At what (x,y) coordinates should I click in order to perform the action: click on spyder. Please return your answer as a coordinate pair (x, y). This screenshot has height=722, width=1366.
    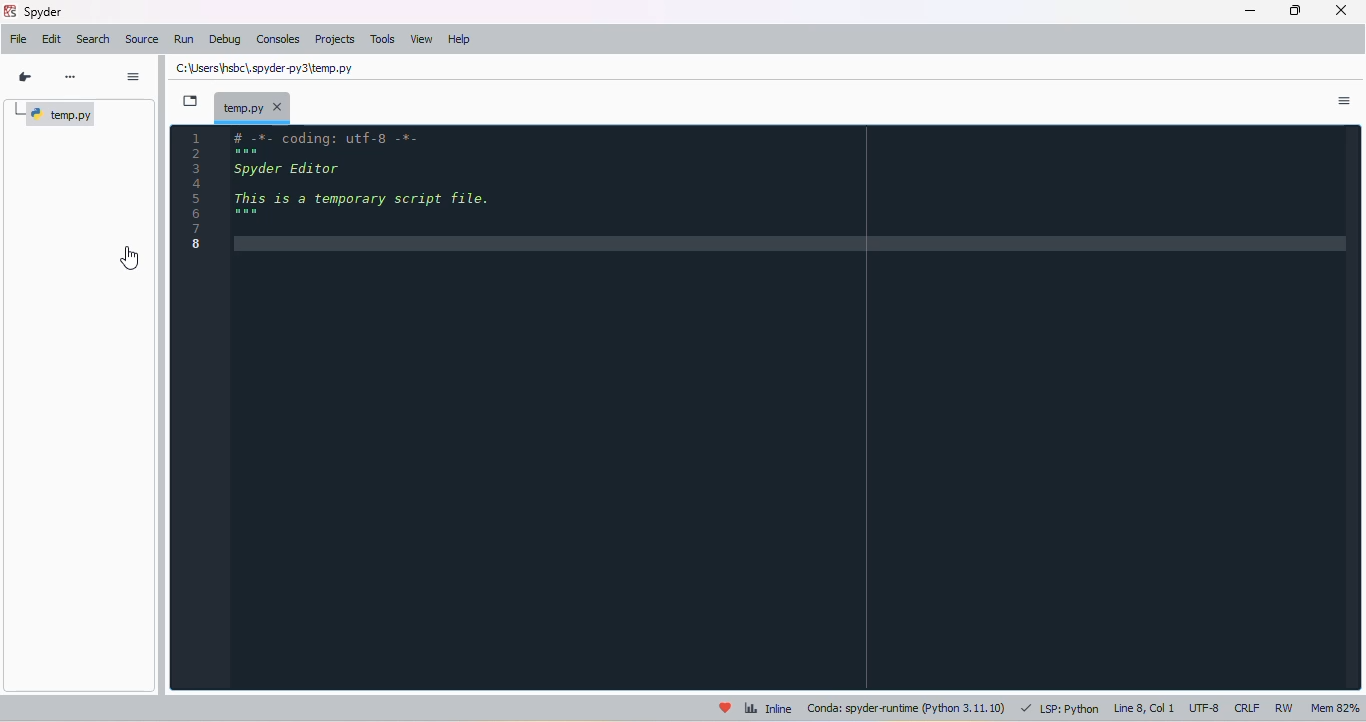
    Looking at the image, I should click on (9, 11).